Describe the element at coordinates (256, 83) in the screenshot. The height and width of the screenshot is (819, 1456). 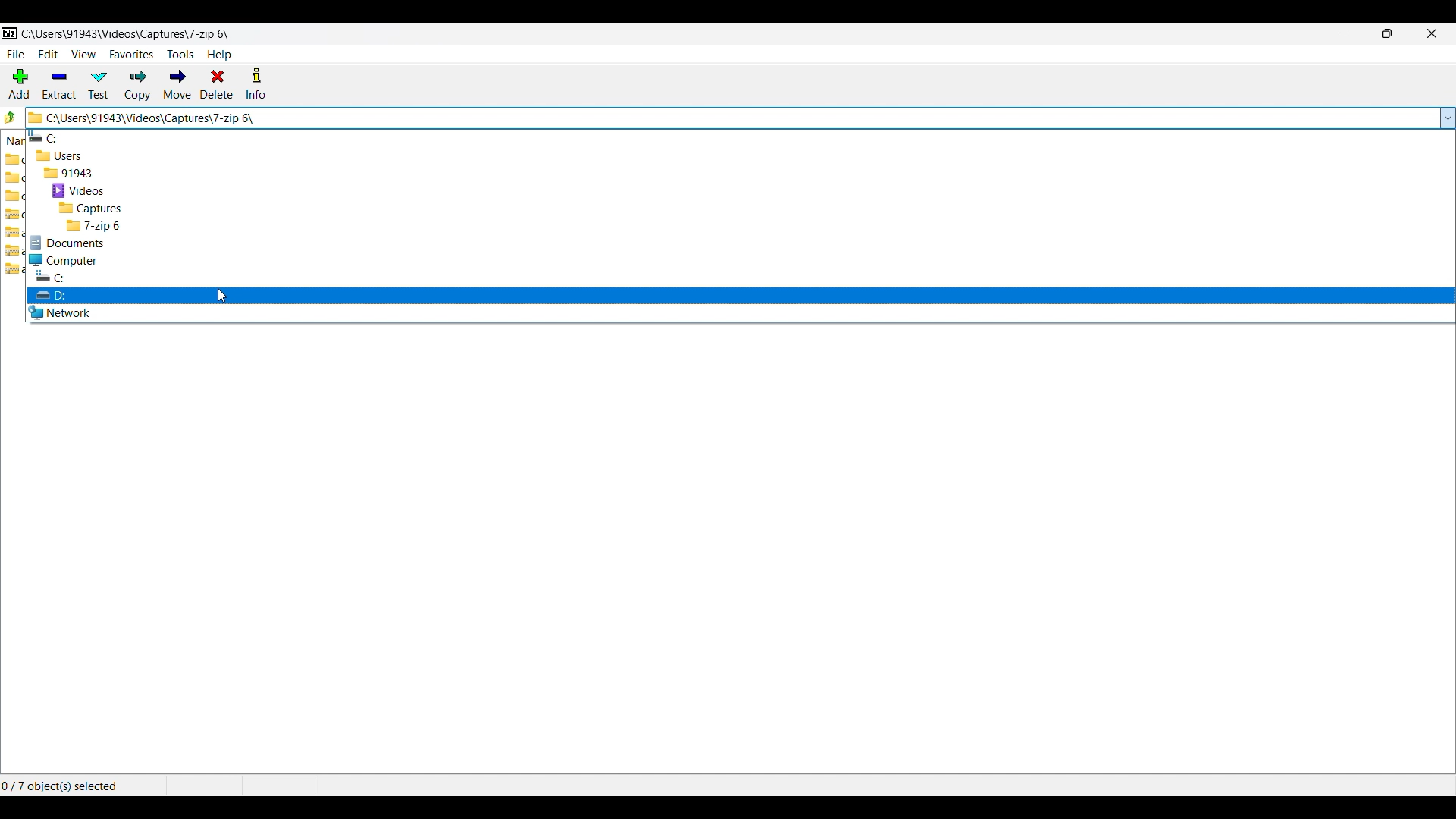
I see `Info` at that location.